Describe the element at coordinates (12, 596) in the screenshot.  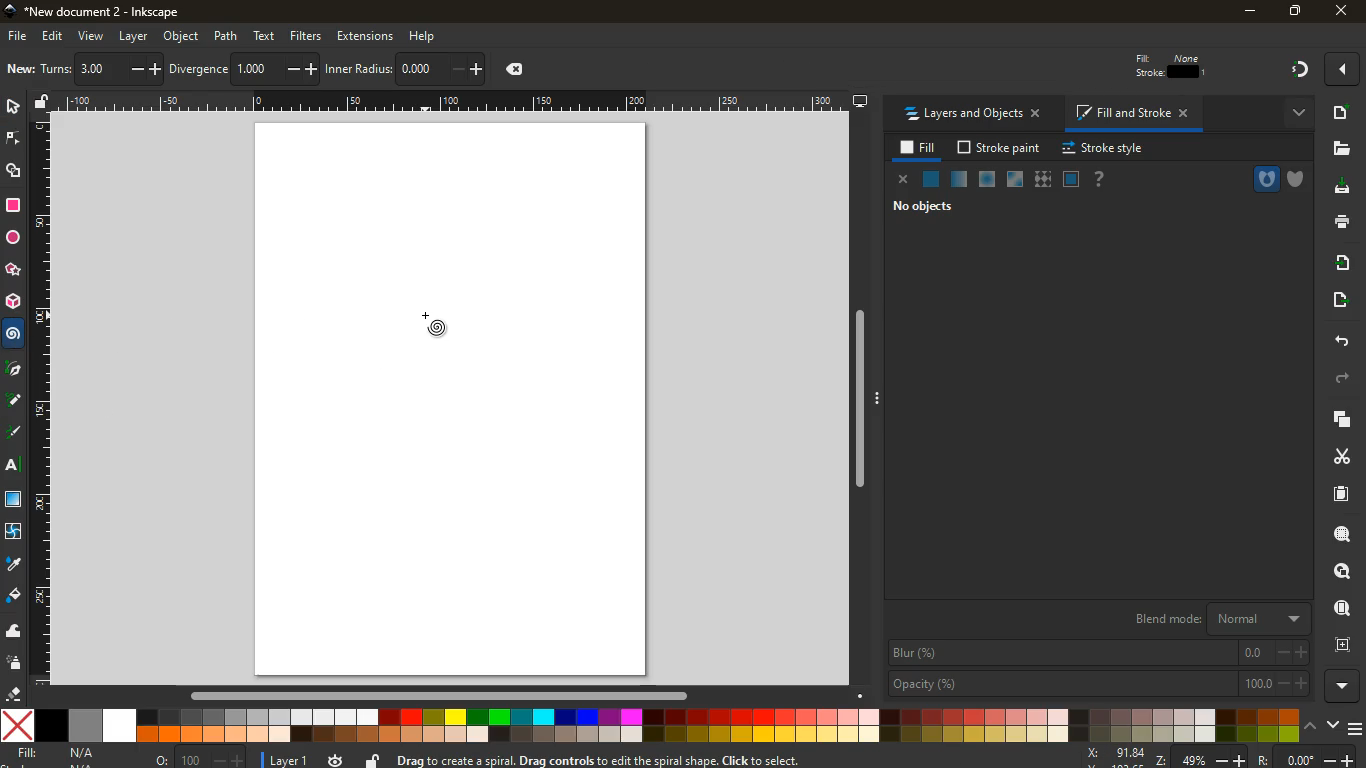
I see `fill` at that location.